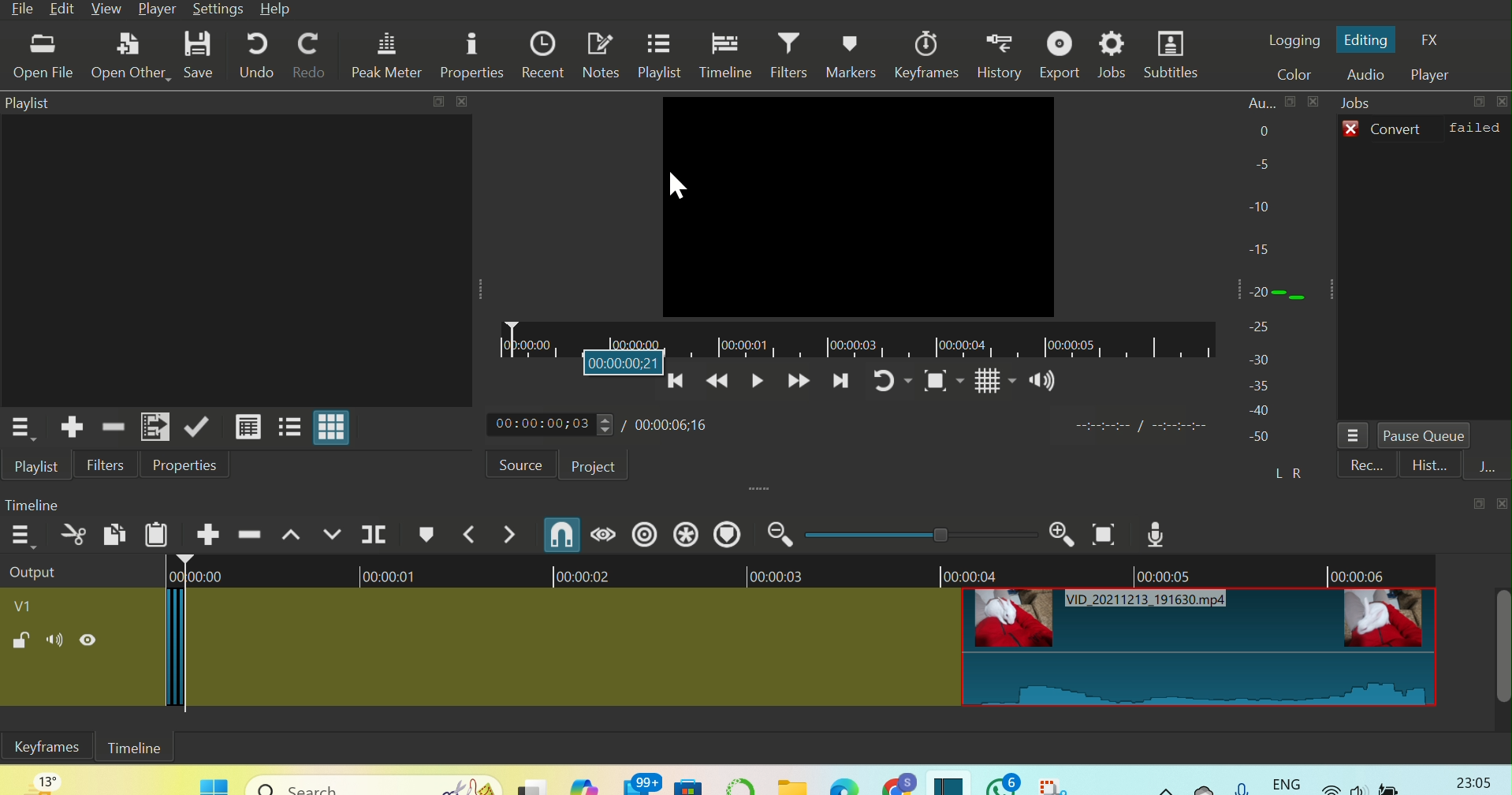 This screenshot has width=1512, height=795. I want to click on , so click(808, 780).